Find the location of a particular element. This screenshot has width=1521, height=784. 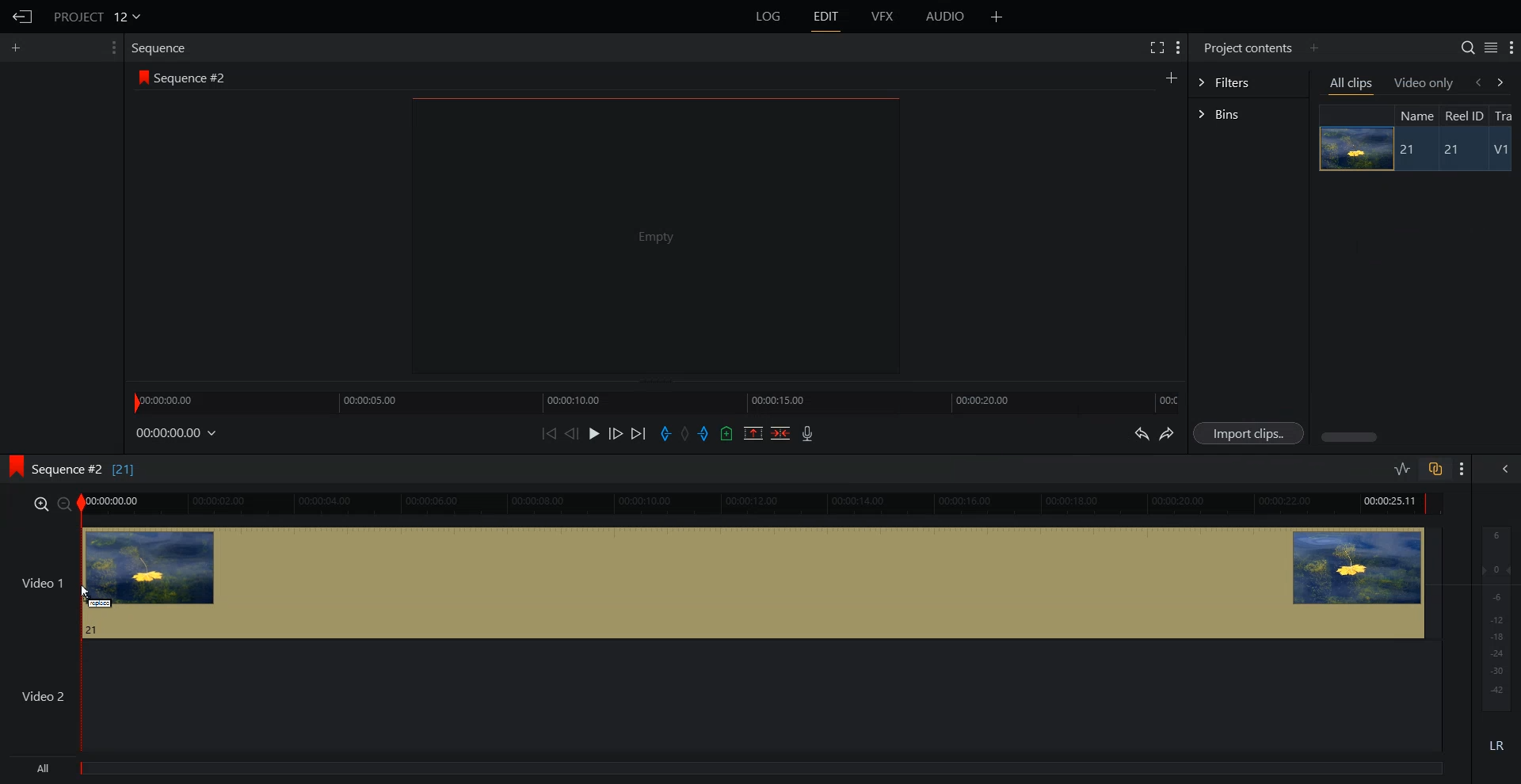

Clear all Marks is located at coordinates (685, 432).